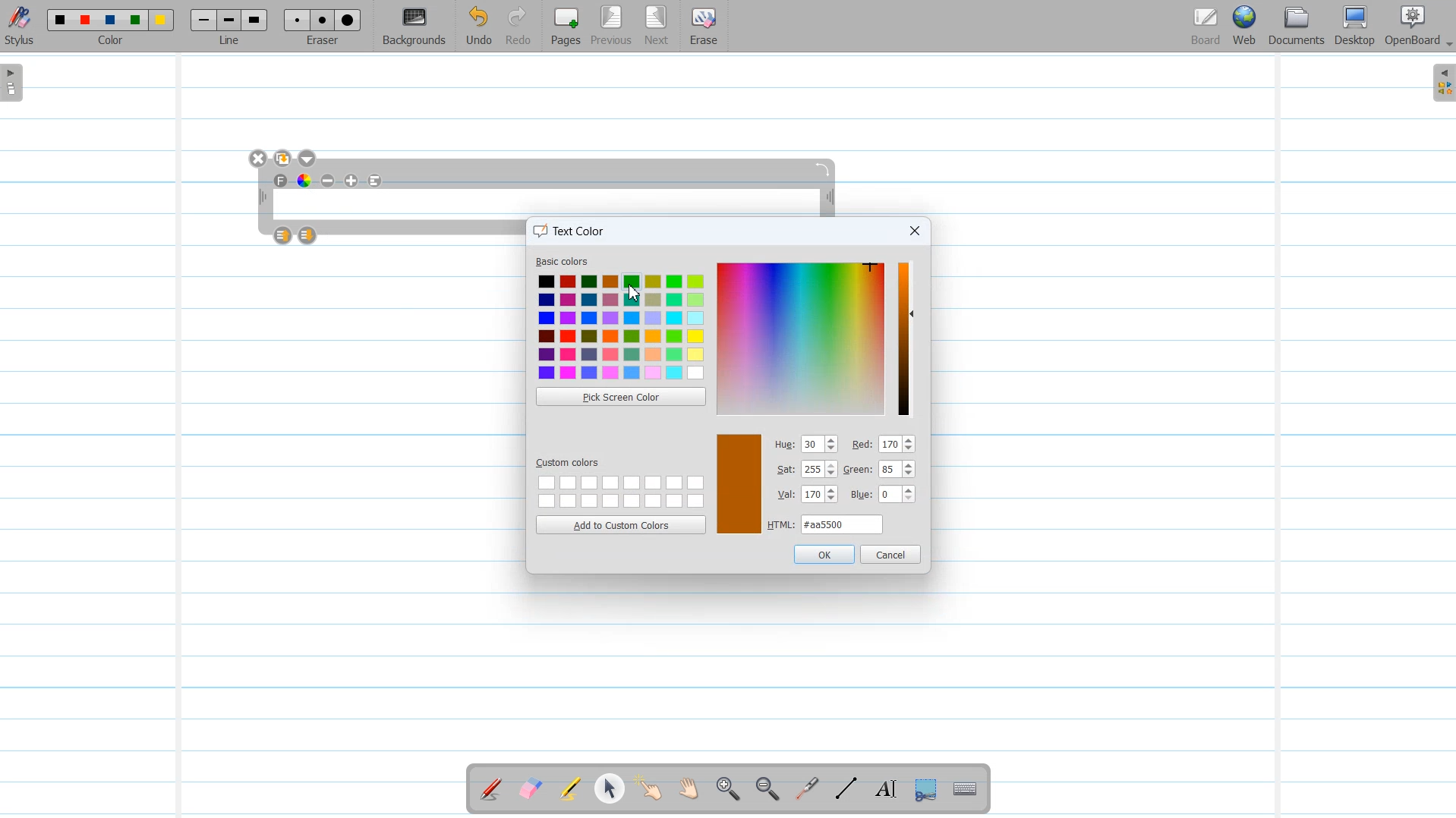  Describe the element at coordinates (649, 790) in the screenshot. I see `Interact With Item` at that location.